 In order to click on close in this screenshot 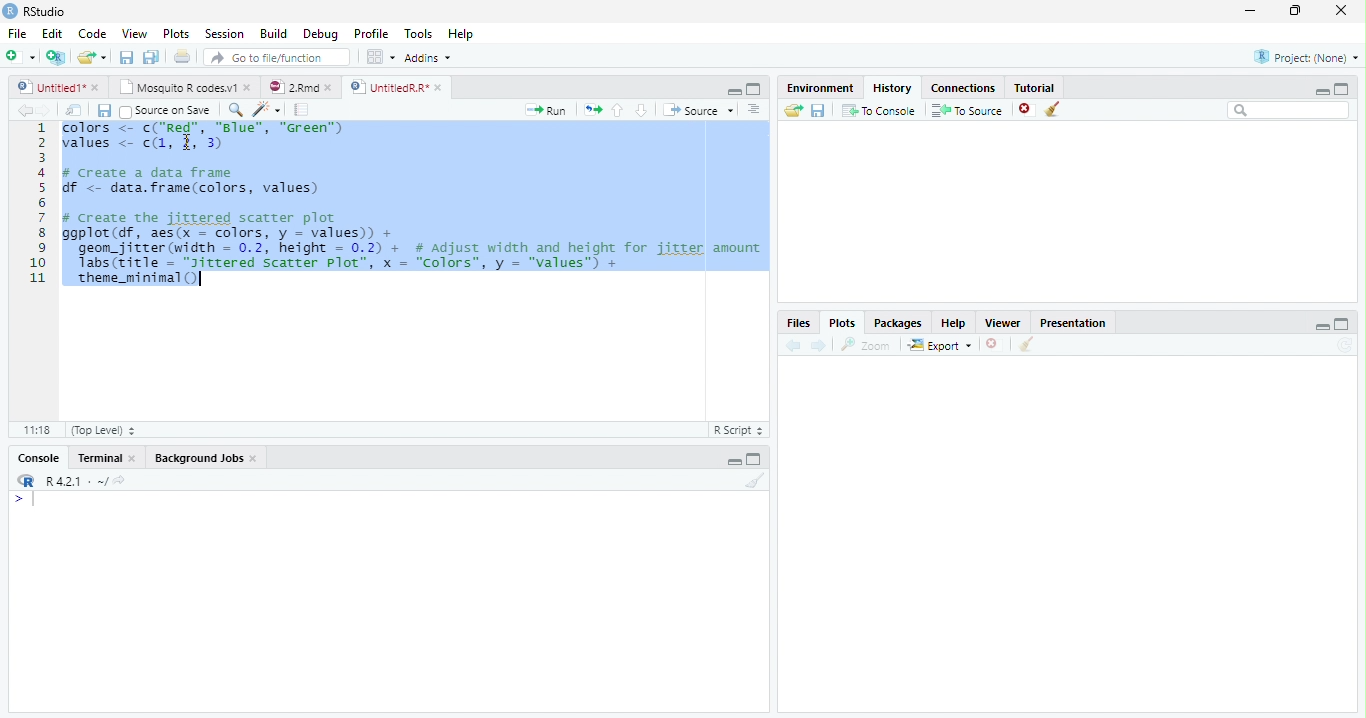, I will do `click(133, 458)`.